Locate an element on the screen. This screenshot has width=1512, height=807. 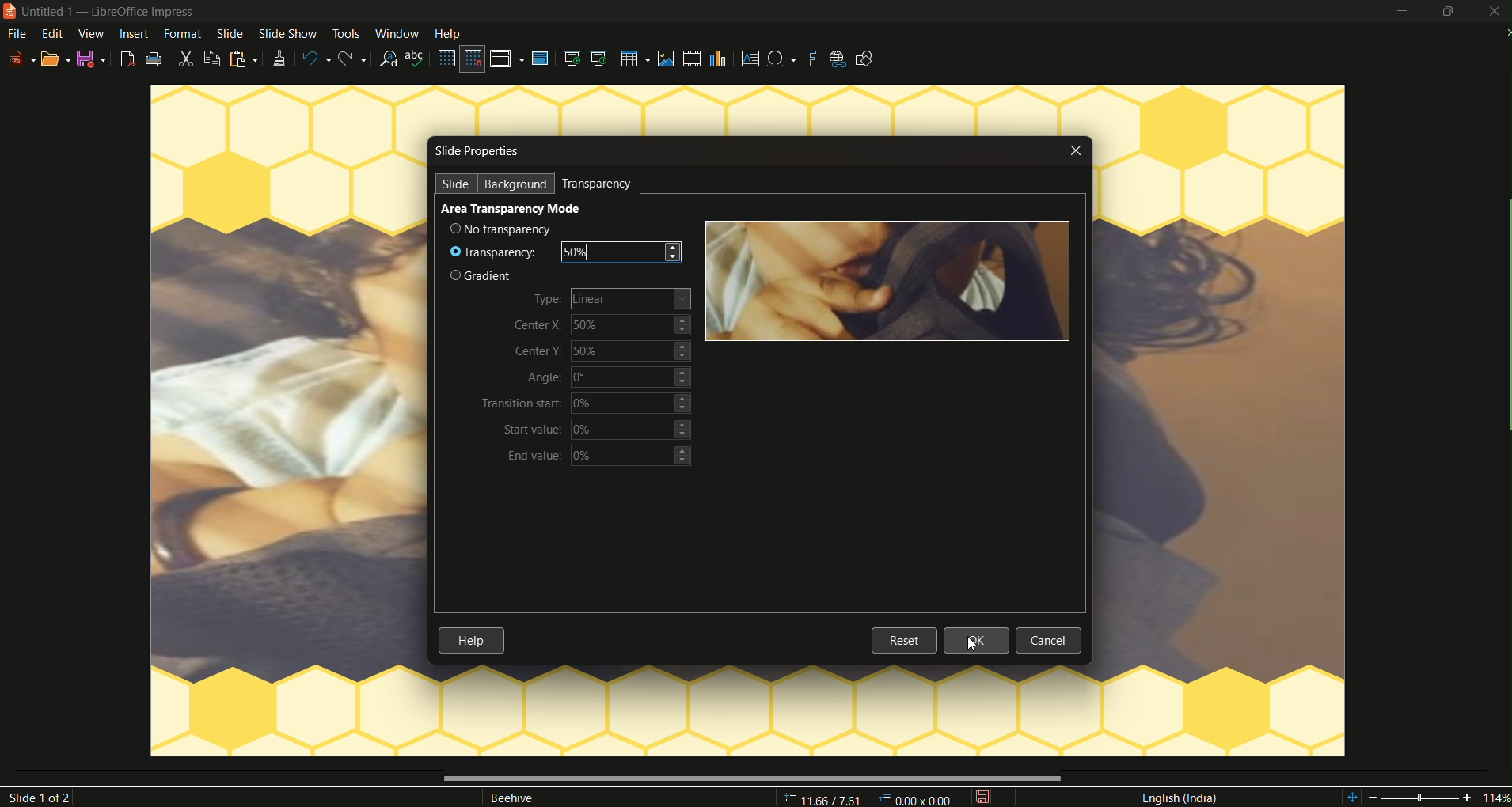
display views is located at coordinates (508, 59).